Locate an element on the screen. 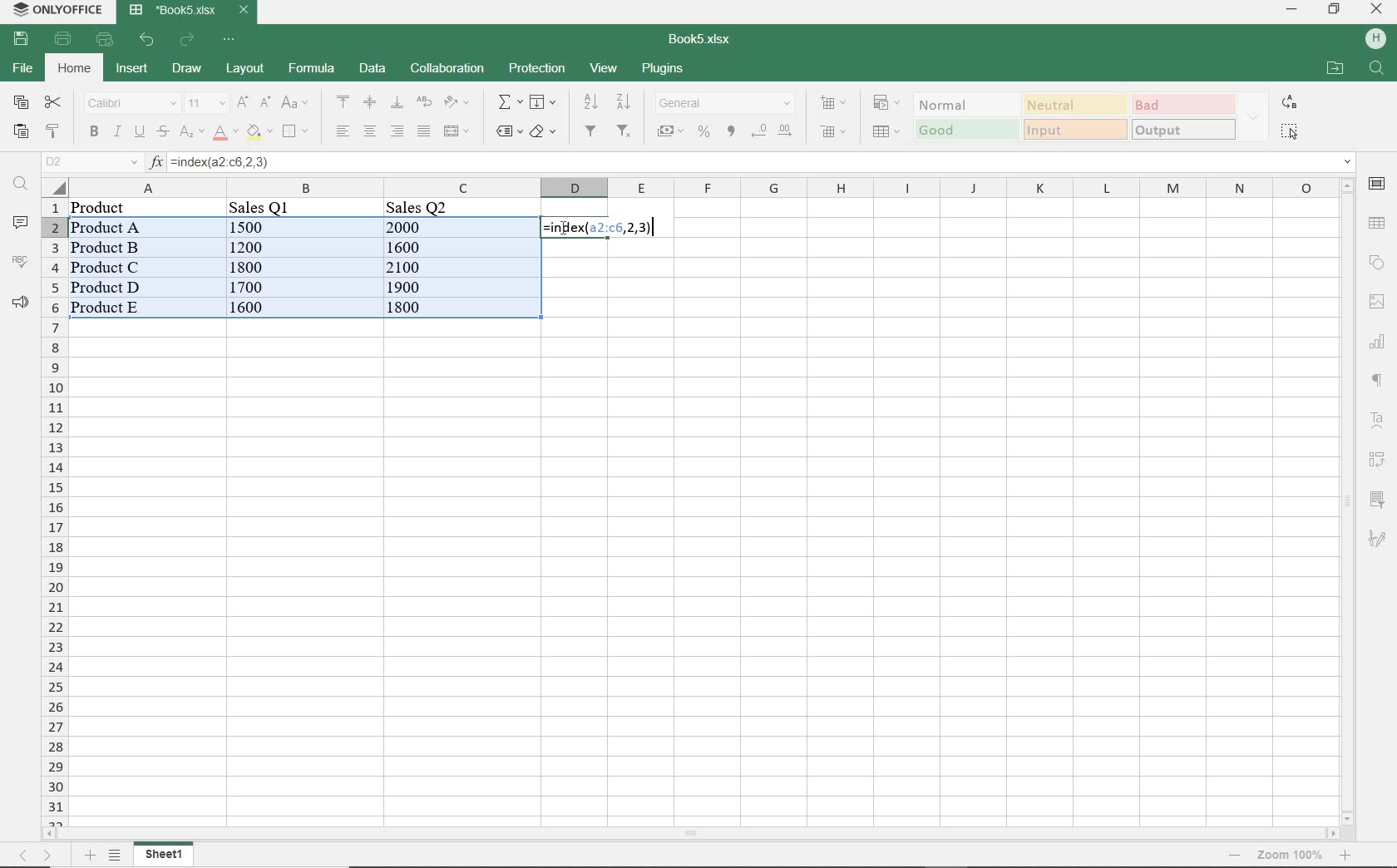  sheet 1 is located at coordinates (165, 853).